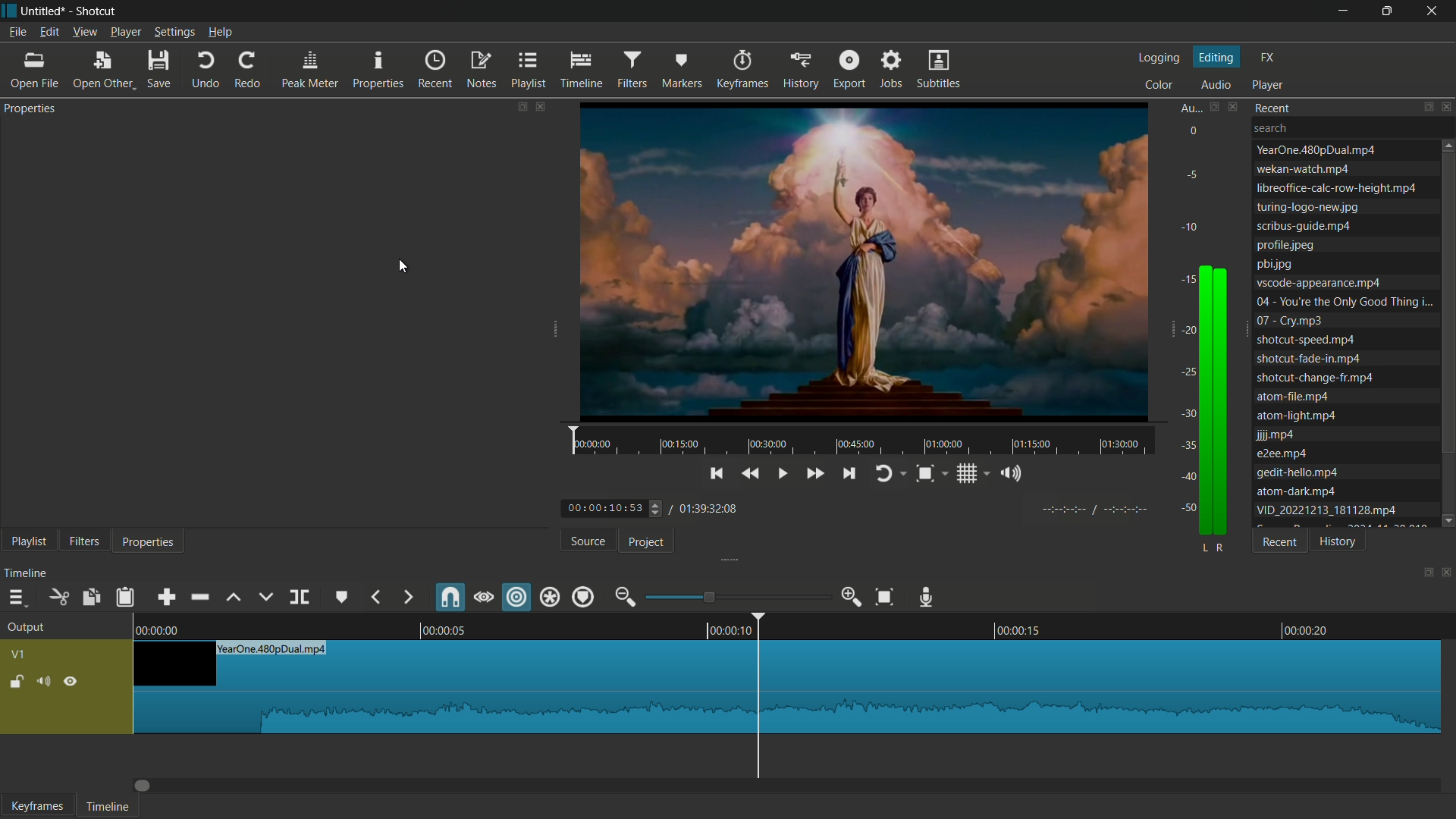 This screenshot has width=1456, height=819. I want to click on file-12, so click(1309, 359).